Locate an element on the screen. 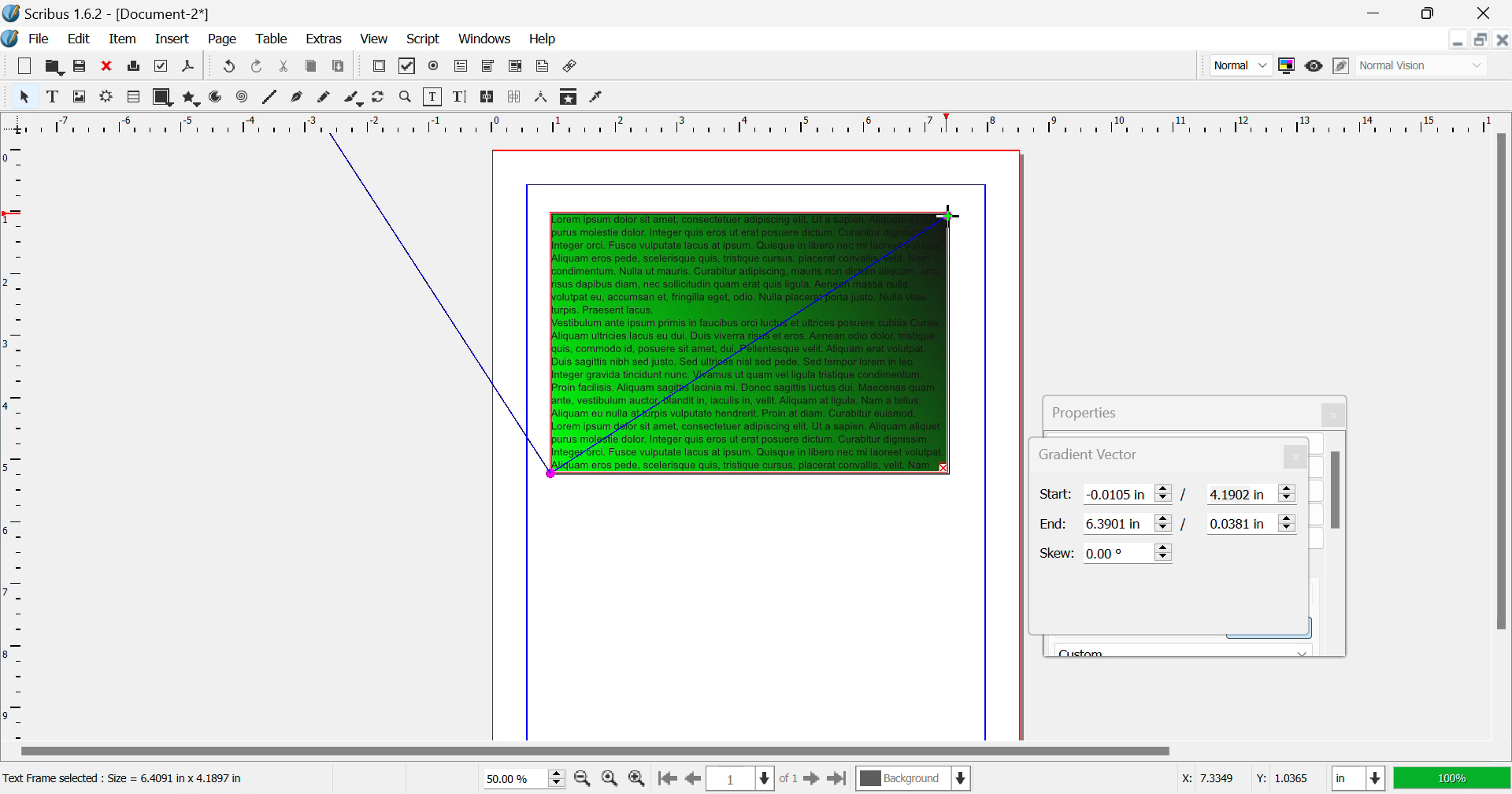 This screenshot has height=794, width=1512. View is located at coordinates (373, 39).